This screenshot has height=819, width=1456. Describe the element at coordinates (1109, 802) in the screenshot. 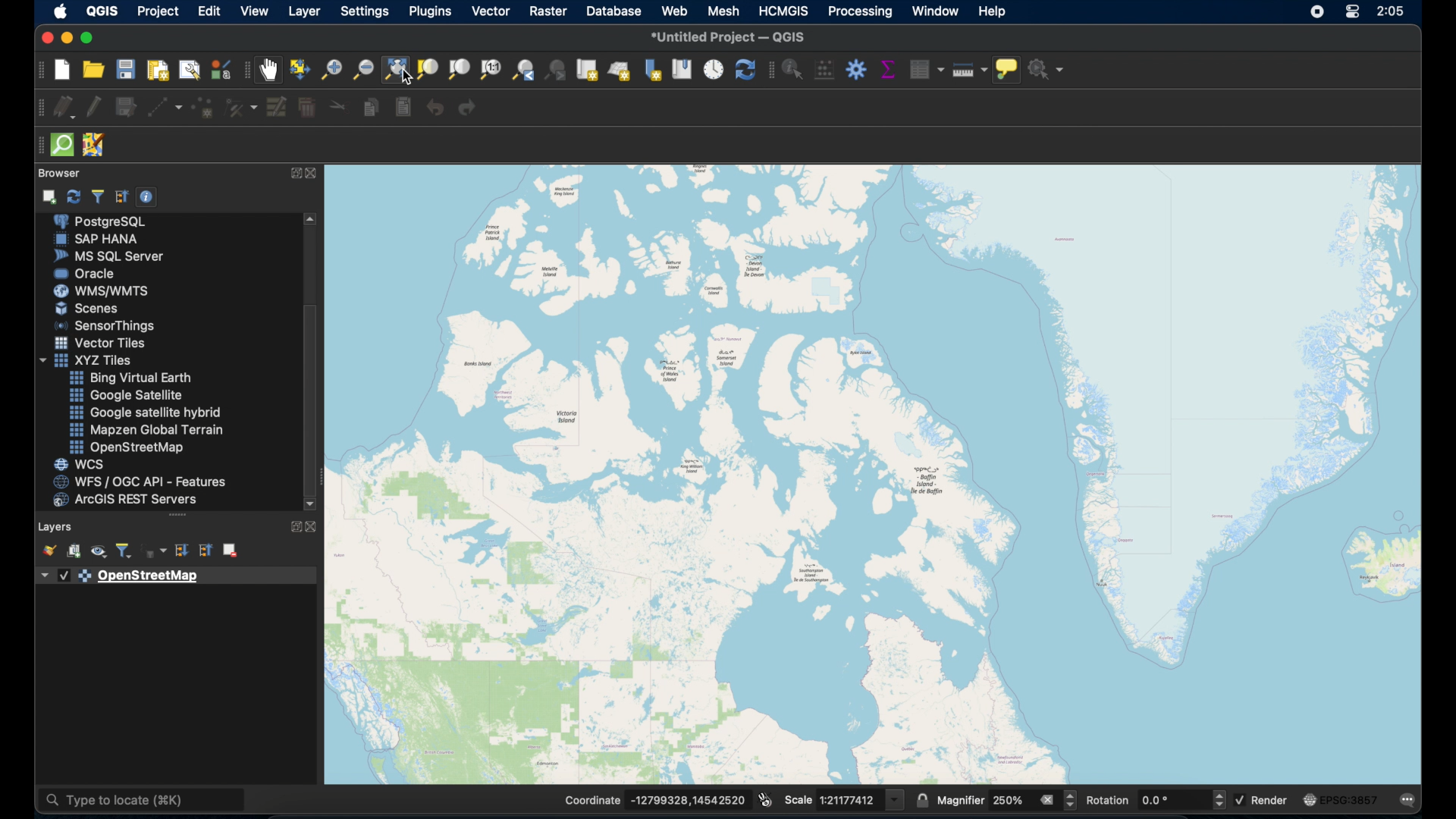

I see `rotation` at that location.